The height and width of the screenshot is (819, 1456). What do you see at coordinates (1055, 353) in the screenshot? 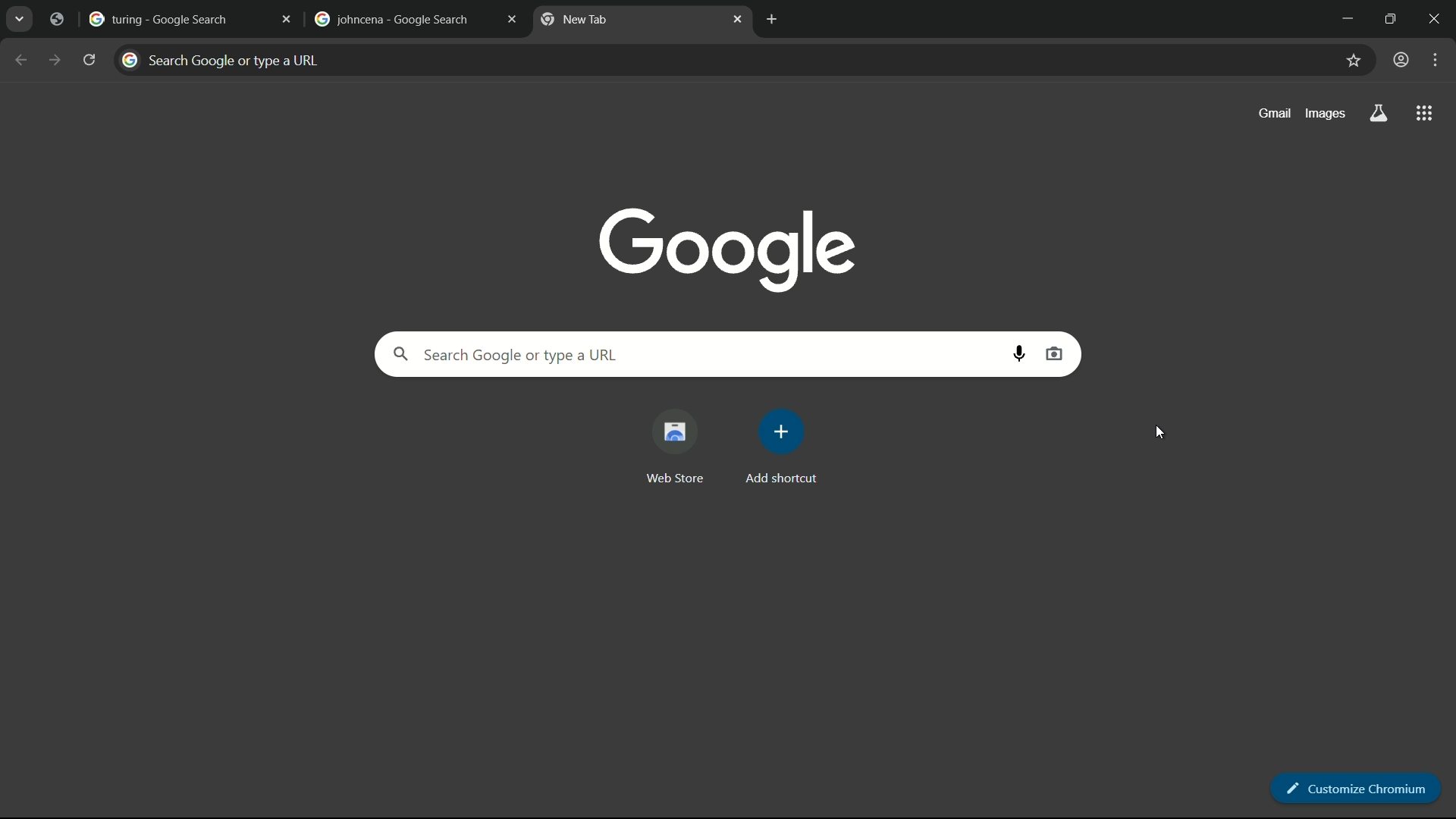
I see `search by image` at bounding box center [1055, 353].